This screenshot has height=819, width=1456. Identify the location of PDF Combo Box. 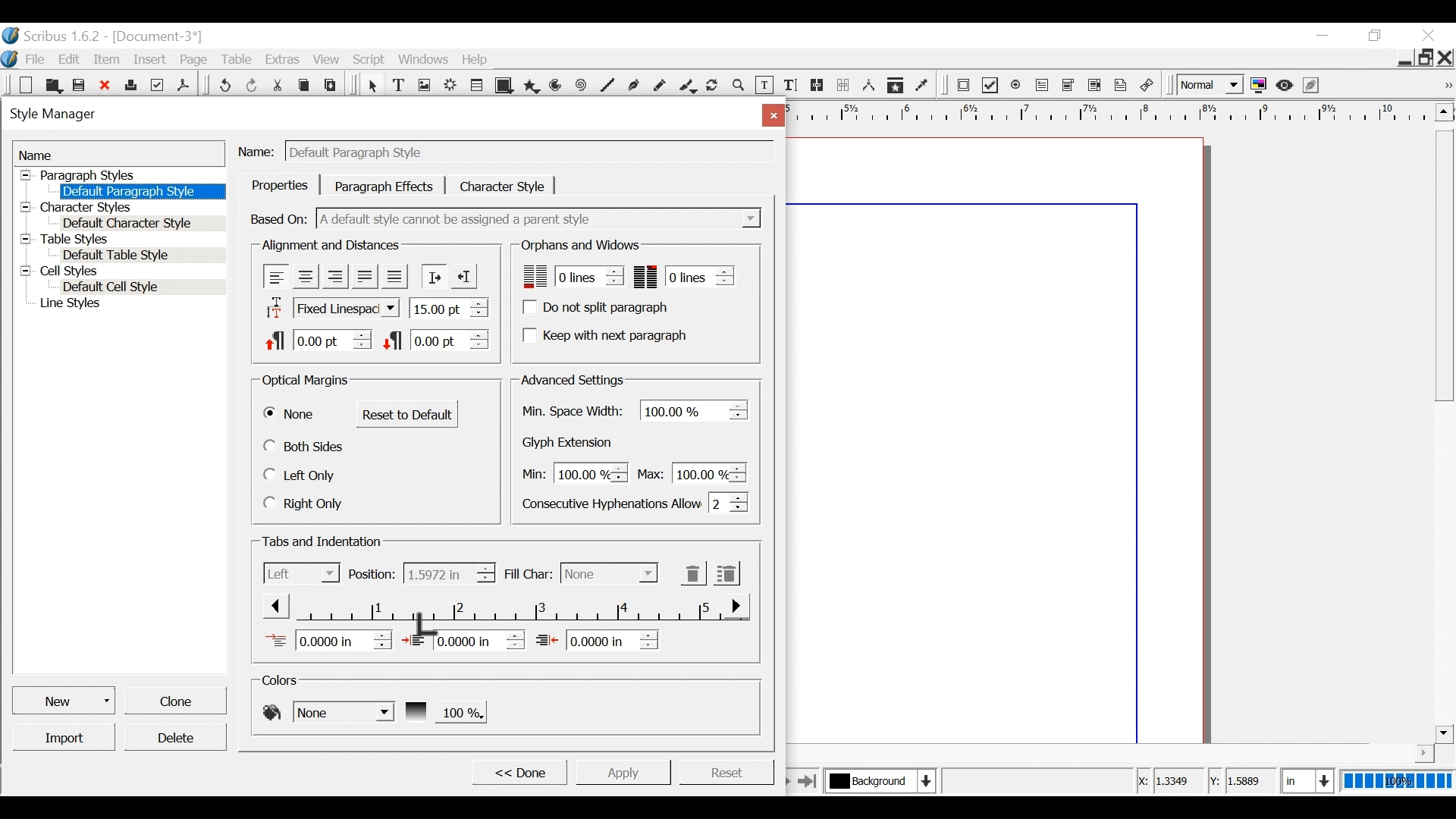
(1070, 86).